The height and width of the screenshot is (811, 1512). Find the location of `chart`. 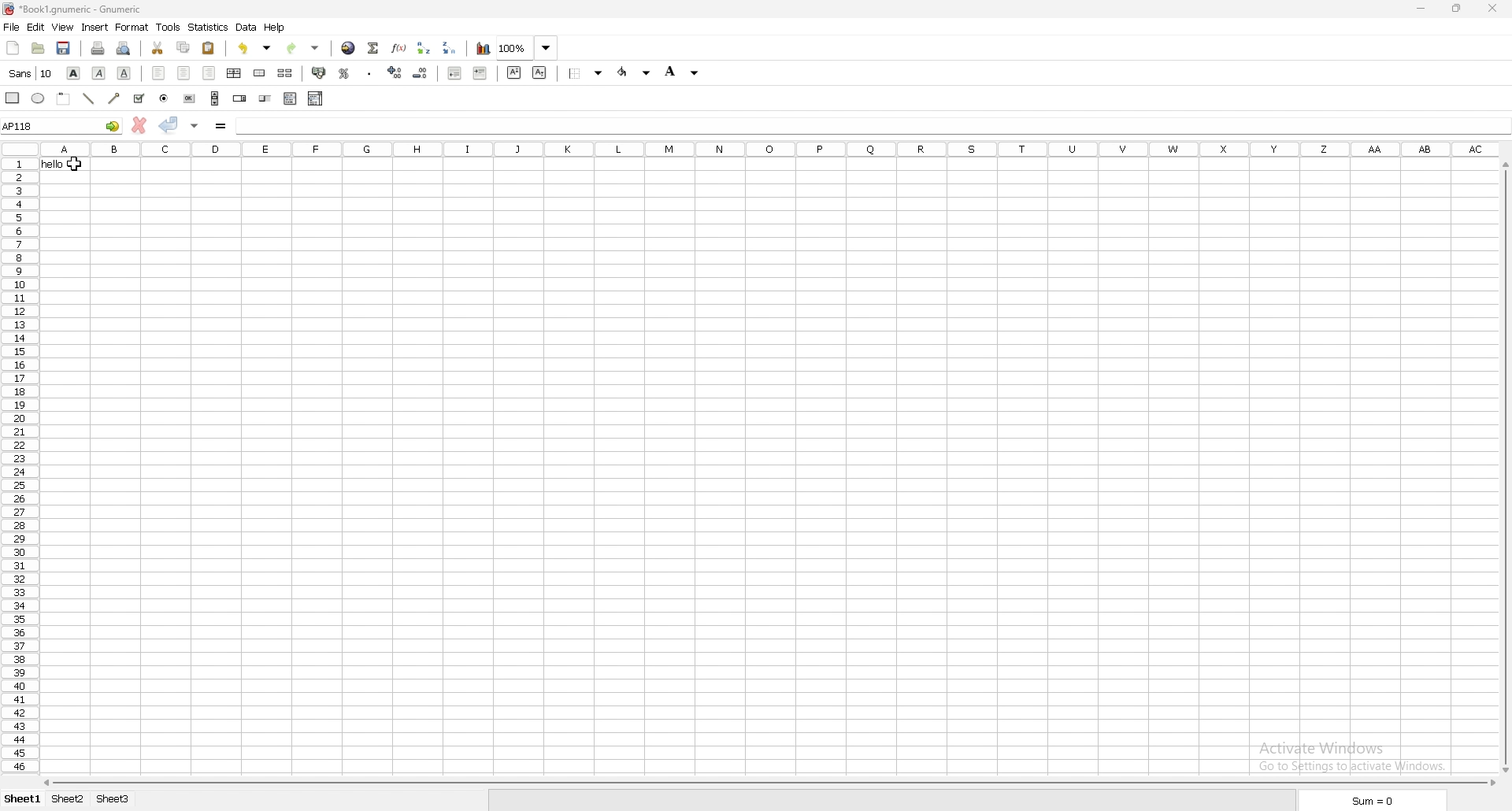

chart is located at coordinates (482, 48).